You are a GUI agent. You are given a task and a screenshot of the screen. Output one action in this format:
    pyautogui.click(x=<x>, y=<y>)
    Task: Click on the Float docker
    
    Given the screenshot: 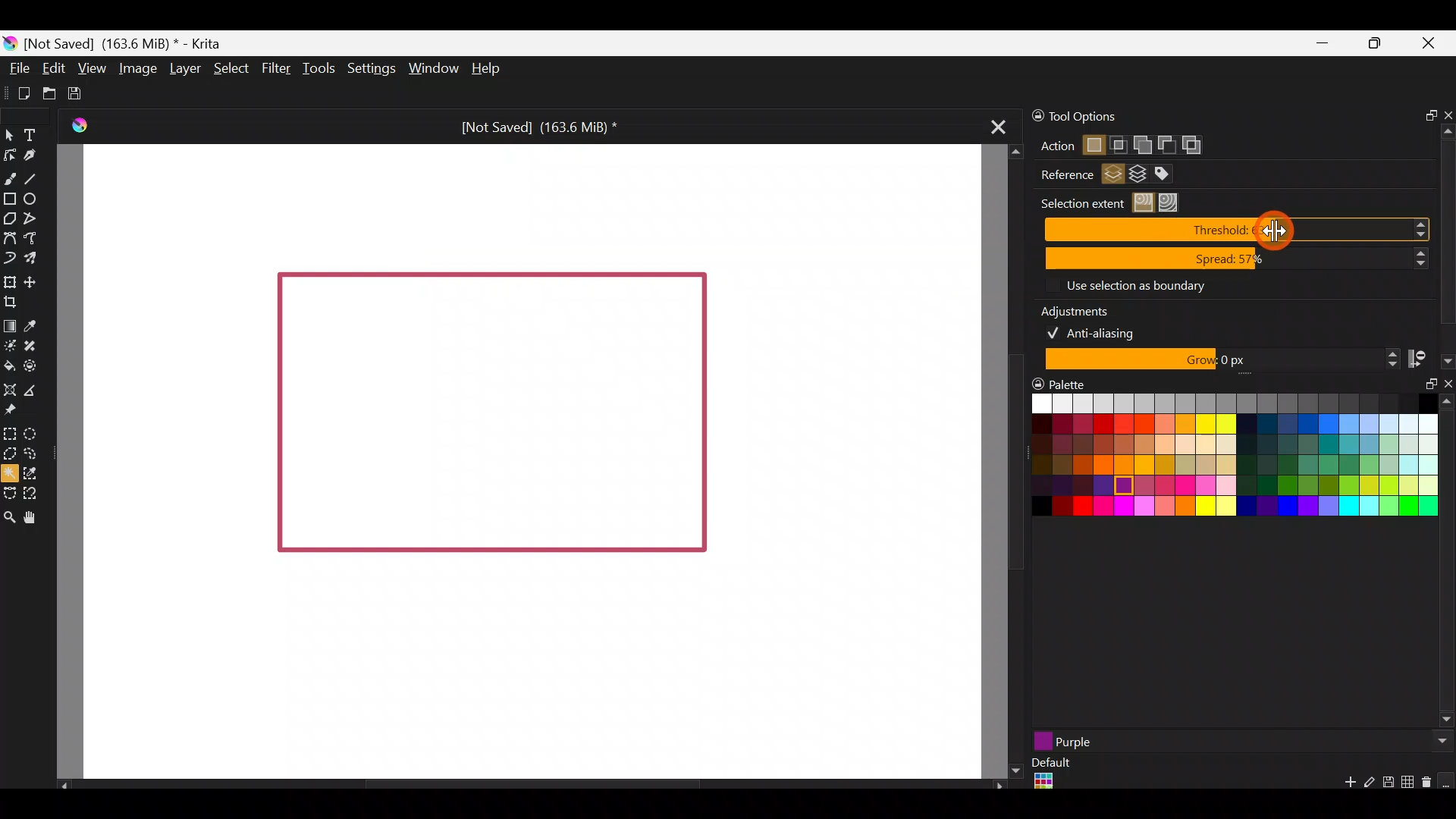 What is the action you would take?
    pyautogui.click(x=1424, y=391)
    